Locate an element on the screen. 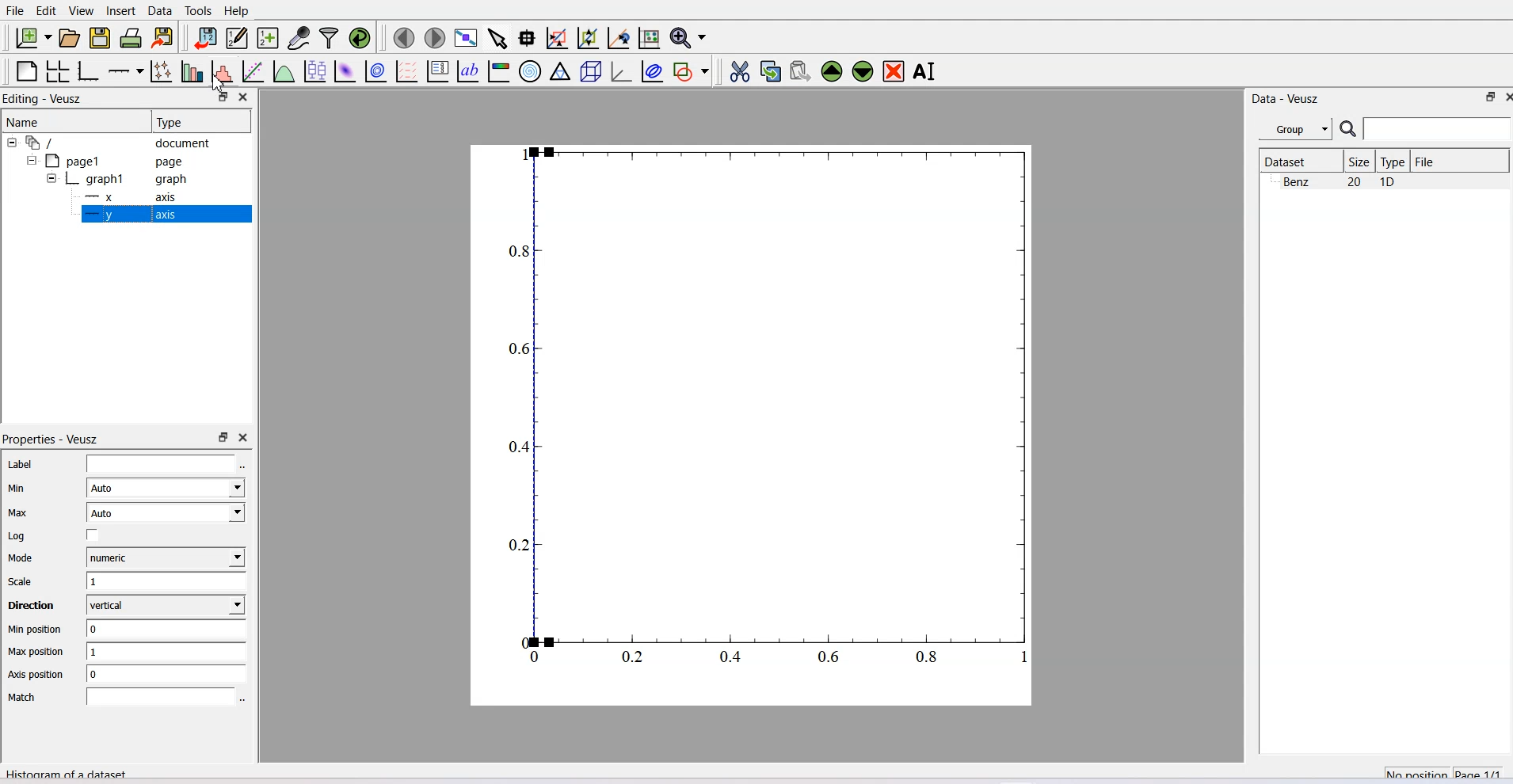 This screenshot has height=784, width=1513. Export to graphics format is located at coordinates (163, 38).